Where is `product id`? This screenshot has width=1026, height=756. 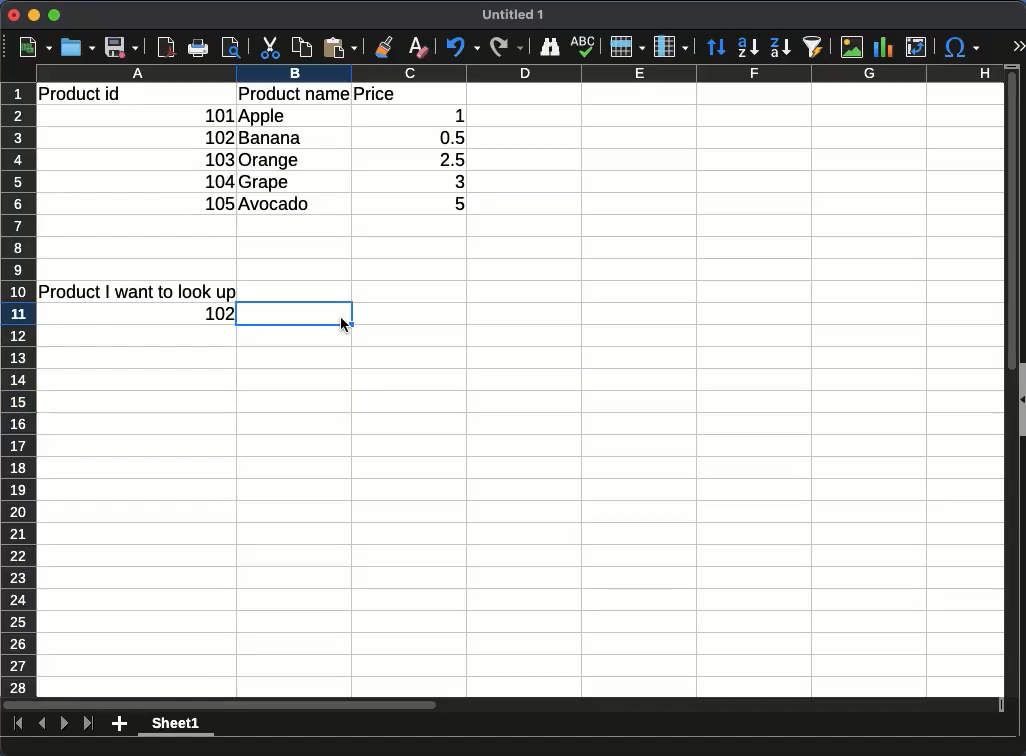 product id is located at coordinates (79, 94).